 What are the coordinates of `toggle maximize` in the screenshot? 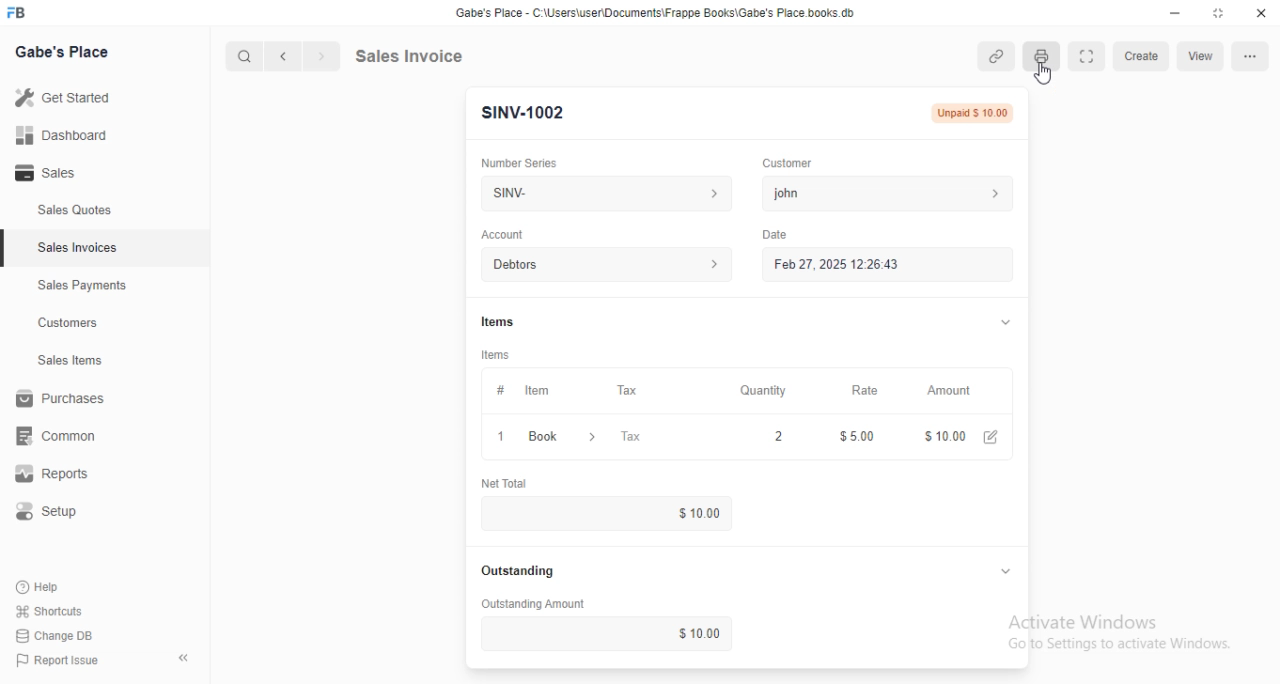 It's located at (1219, 12).